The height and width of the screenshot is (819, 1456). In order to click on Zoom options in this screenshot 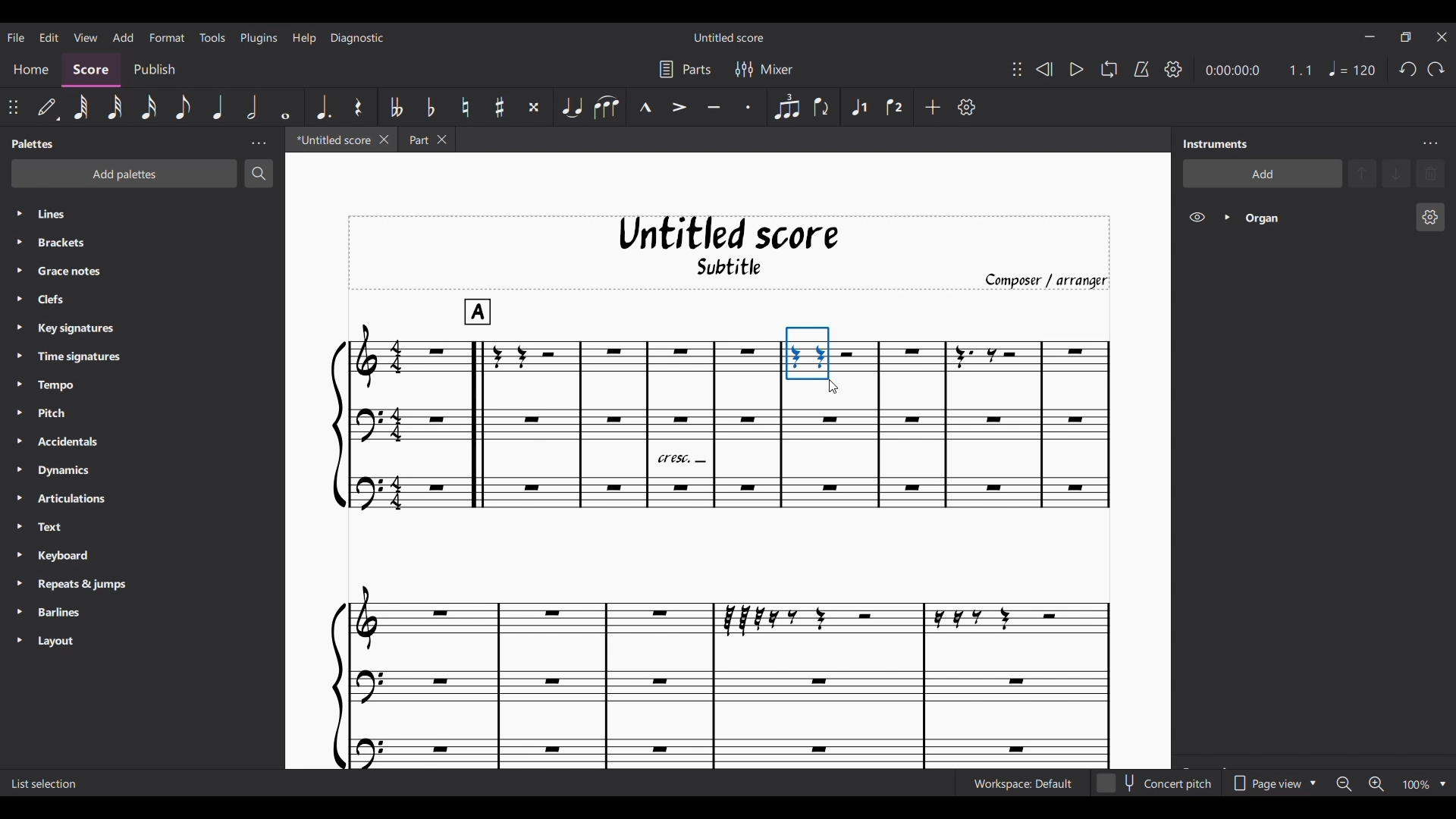, I will do `click(1443, 784)`.